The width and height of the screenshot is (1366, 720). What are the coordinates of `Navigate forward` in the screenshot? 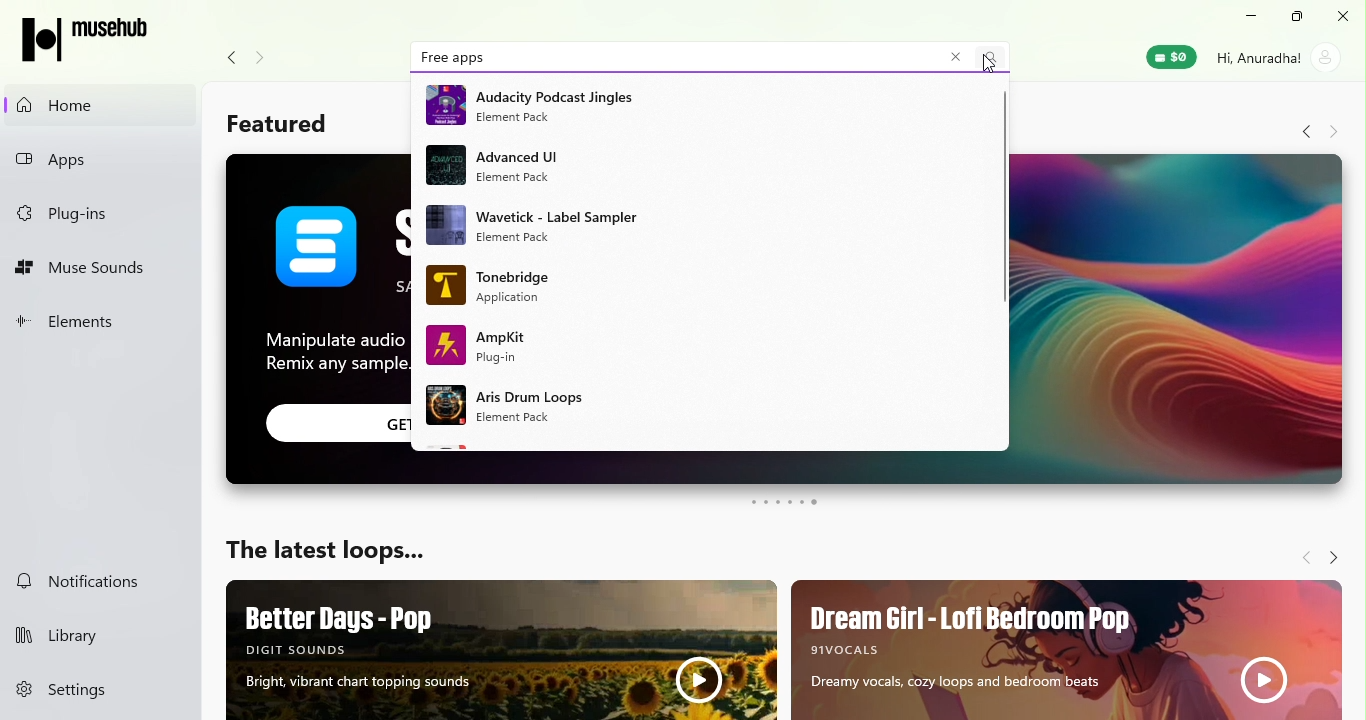 It's located at (1301, 556).